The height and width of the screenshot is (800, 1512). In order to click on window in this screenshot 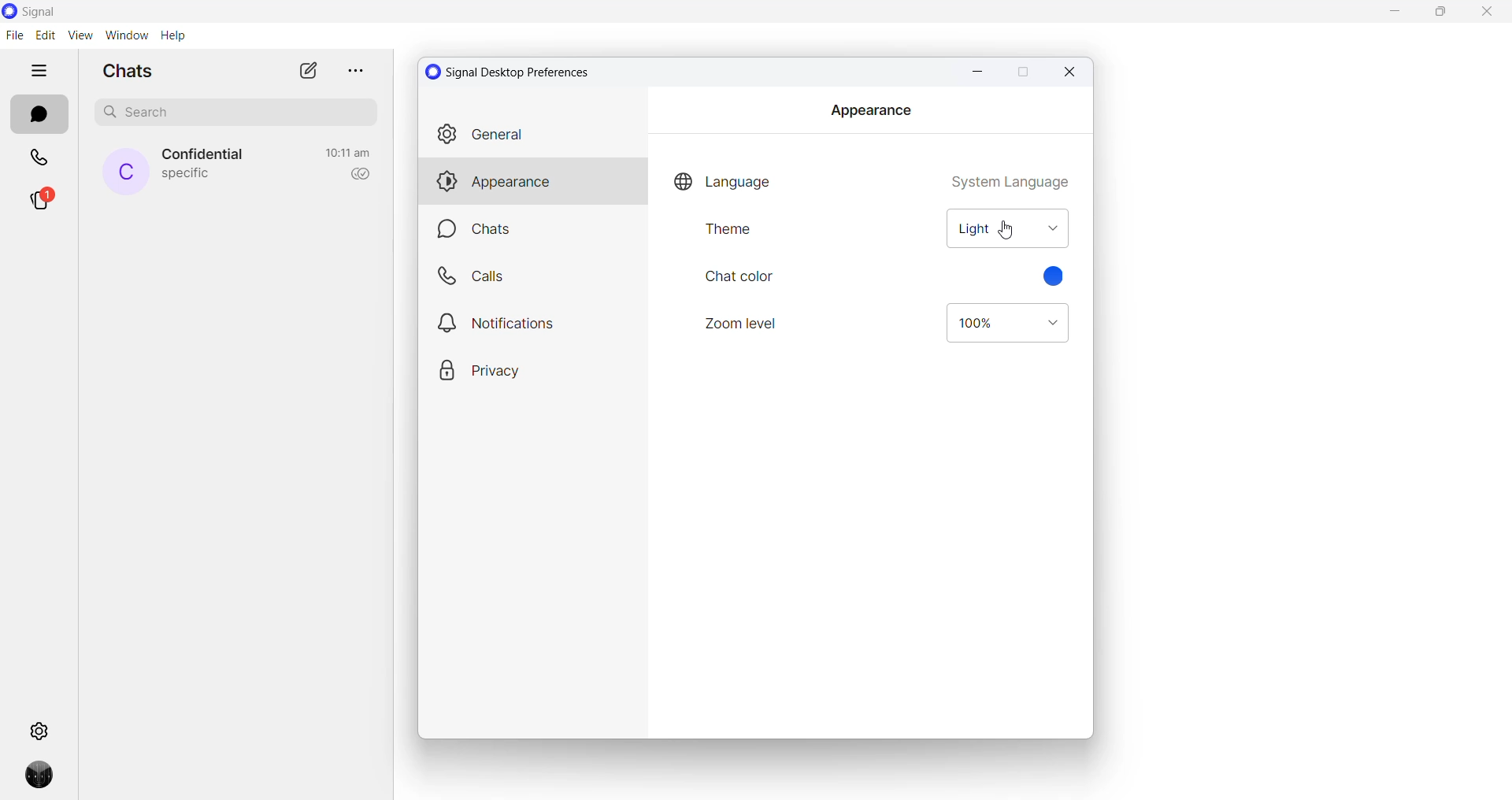, I will do `click(126, 35)`.